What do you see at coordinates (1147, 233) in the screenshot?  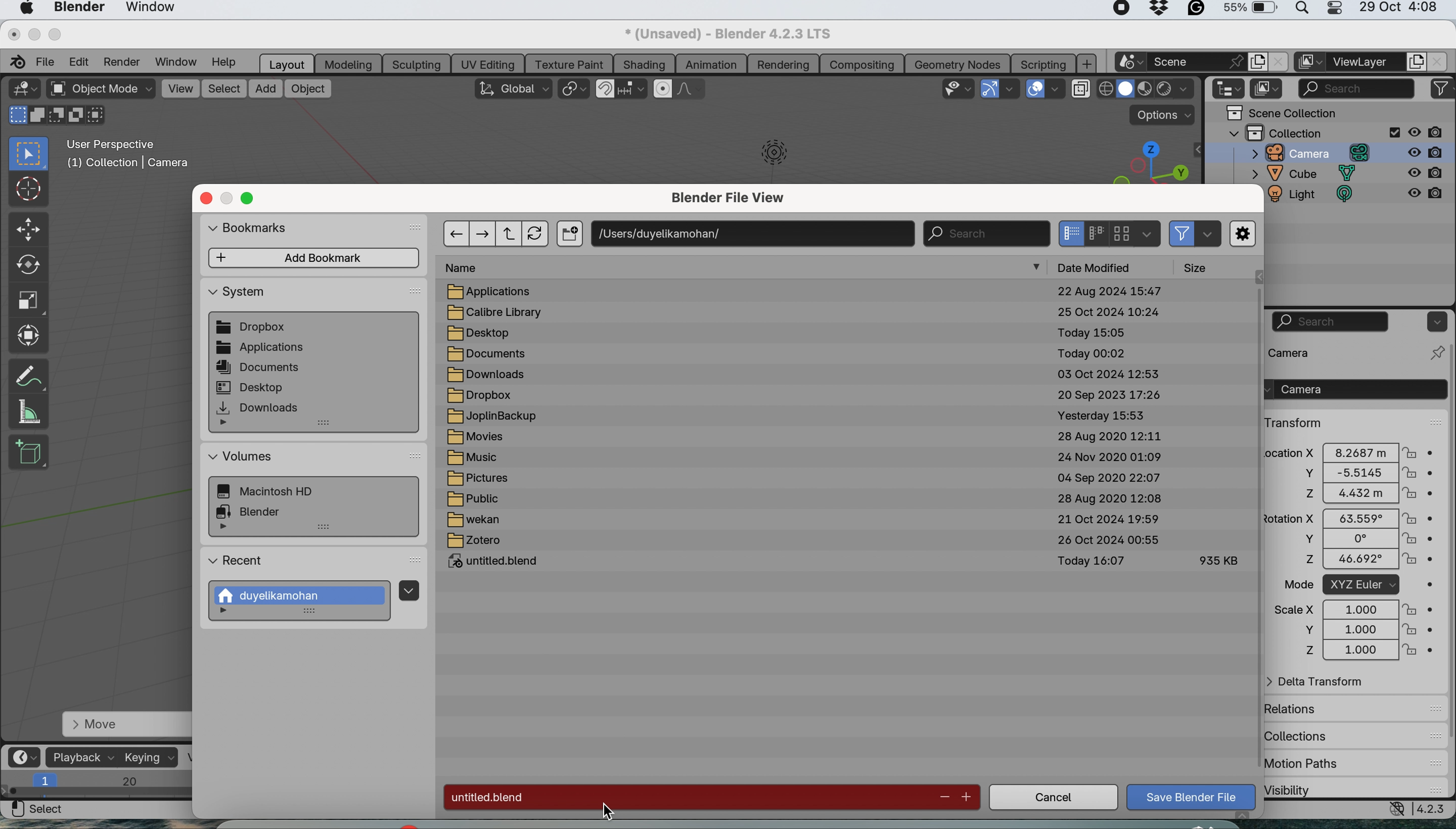 I see `display settings` at bounding box center [1147, 233].